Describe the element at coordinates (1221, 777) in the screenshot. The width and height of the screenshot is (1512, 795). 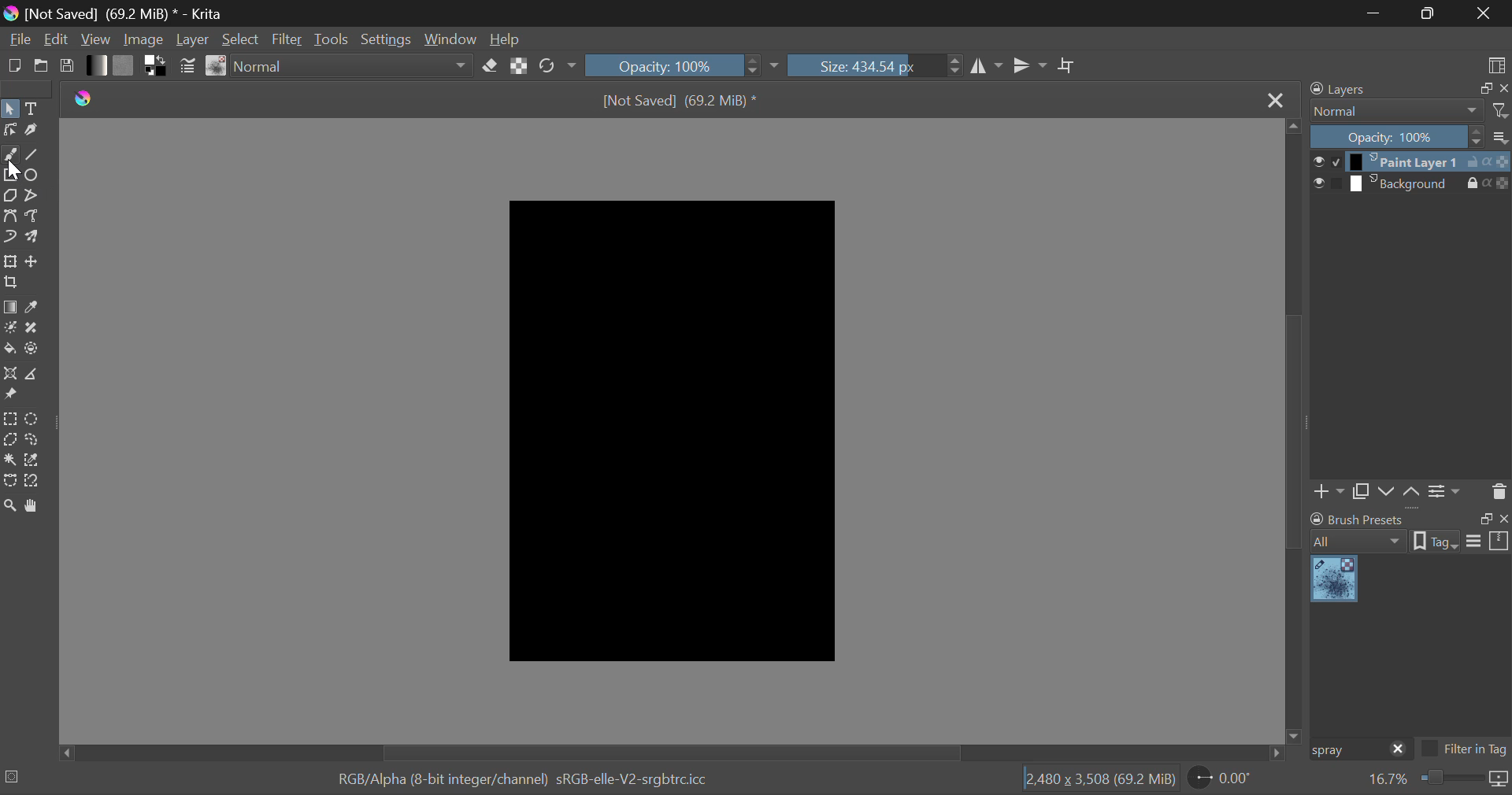
I see `page rotation` at that location.